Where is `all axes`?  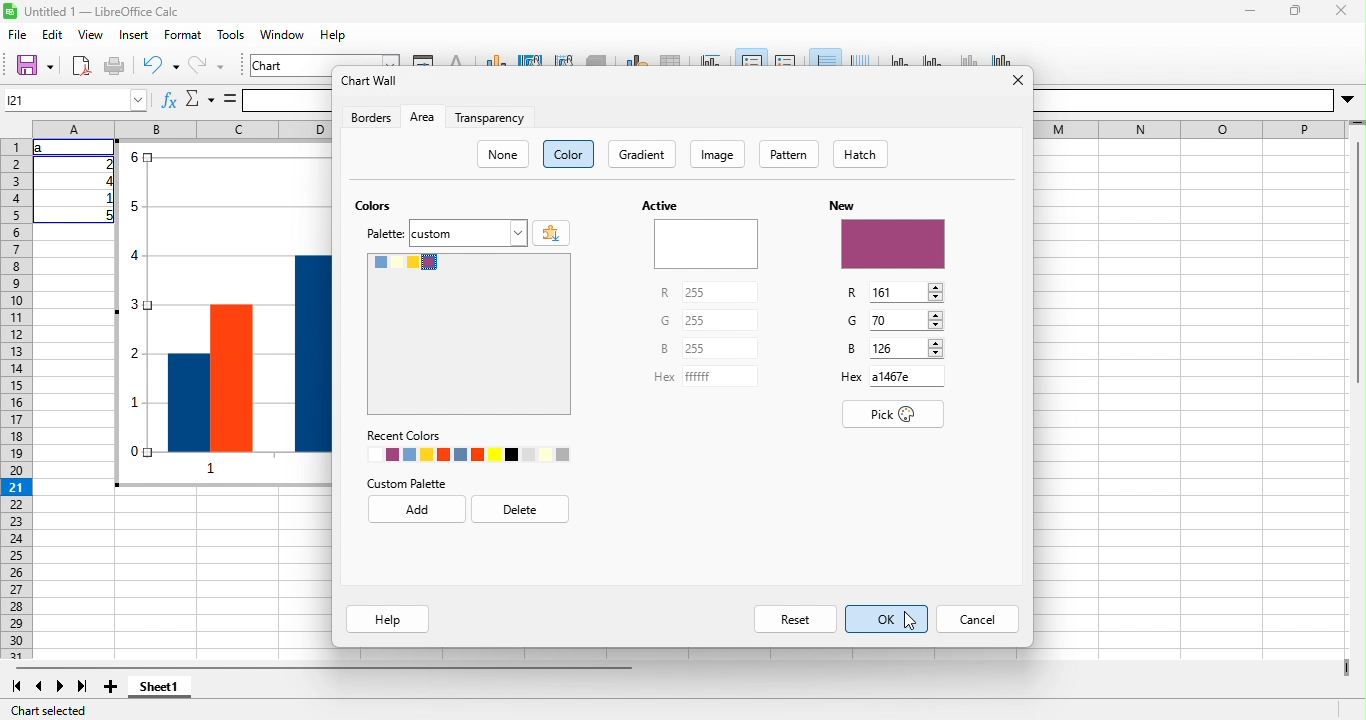
all axes is located at coordinates (999, 58).